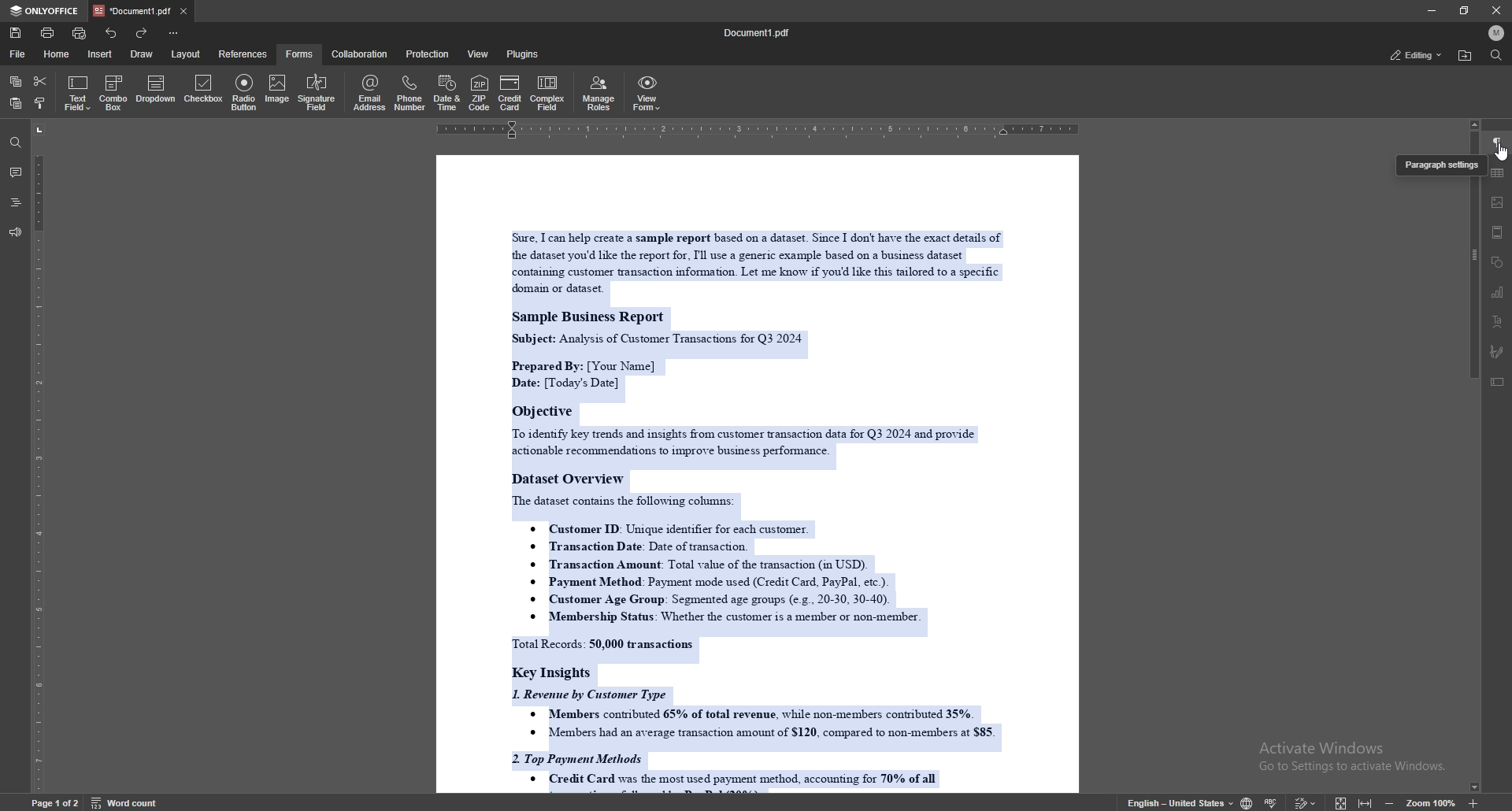 This screenshot has height=811, width=1512. I want to click on close, so click(1496, 10).